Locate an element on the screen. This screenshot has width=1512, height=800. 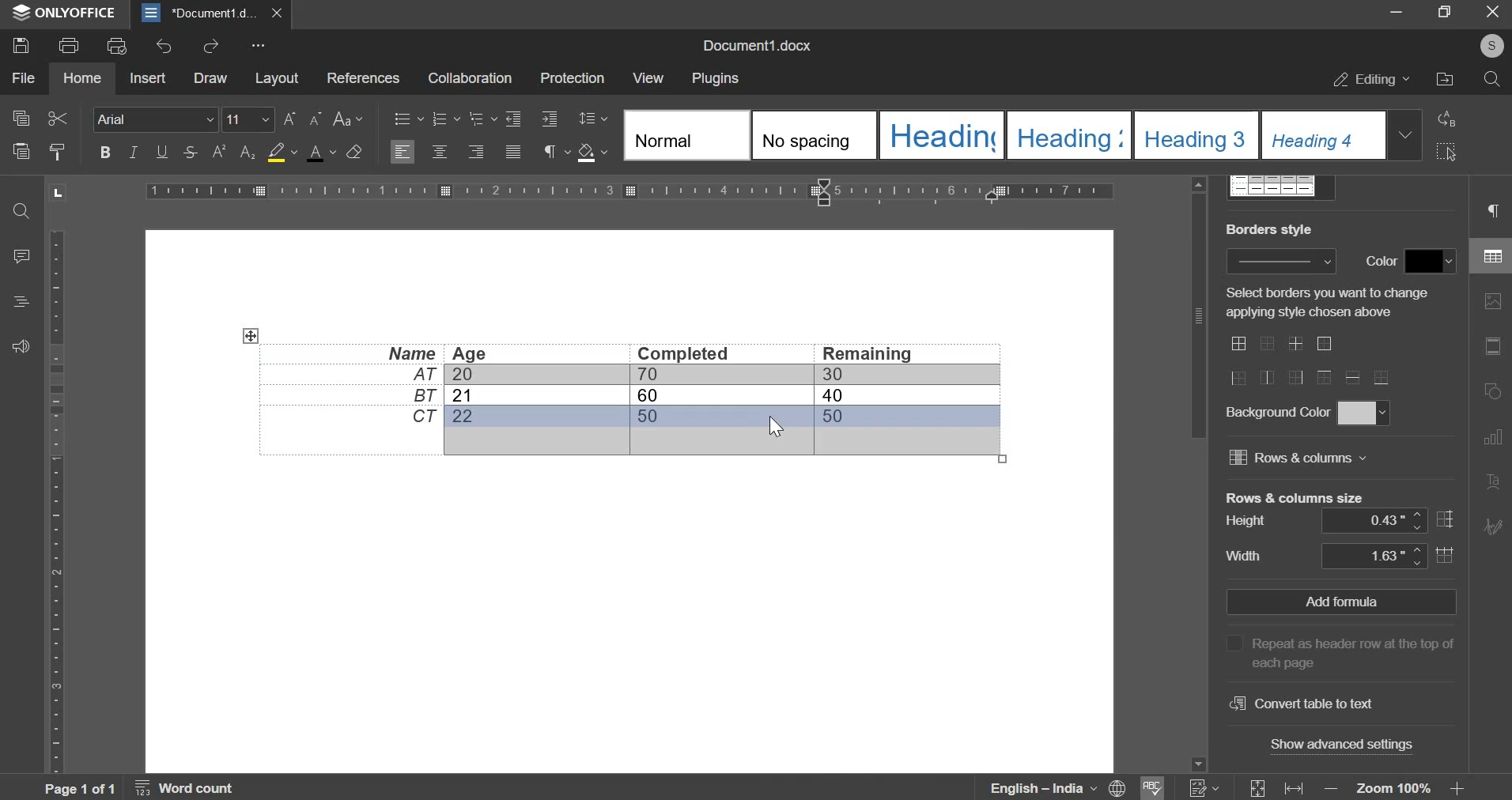
justified is located at coordinates (514, 153).